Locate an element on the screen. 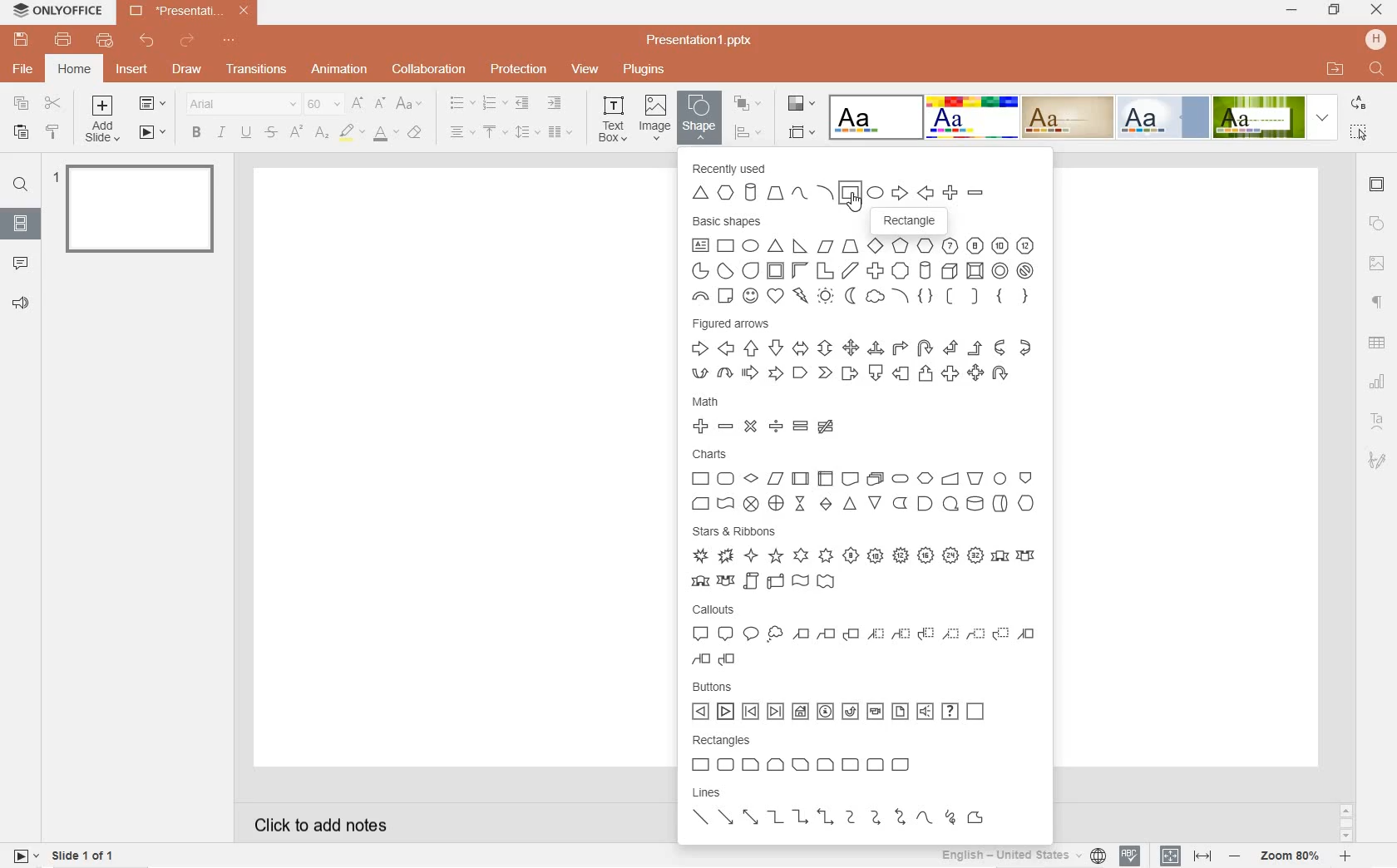 This screenshot has width=1397, height=868. Line Callout 3 is located at coordinates (852, 635).